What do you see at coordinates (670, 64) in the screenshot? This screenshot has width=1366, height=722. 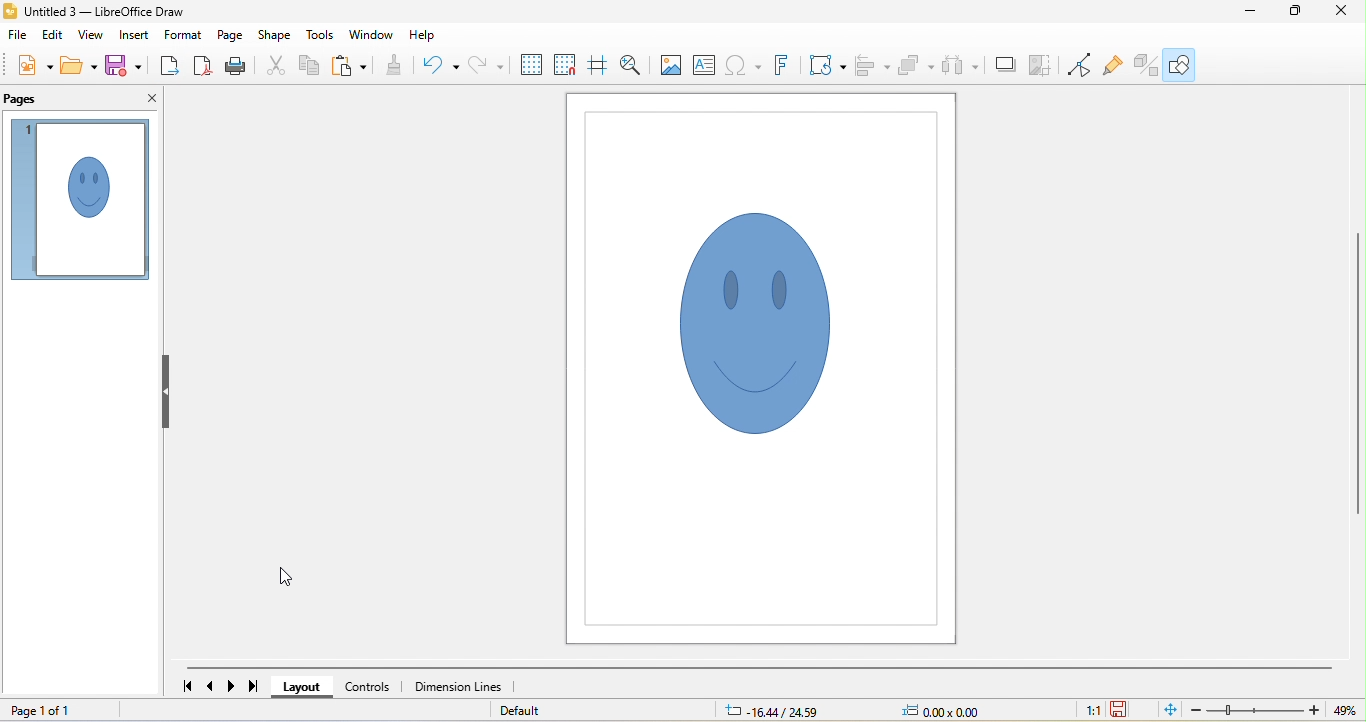 I see `image` at bounding box center [670, 64].